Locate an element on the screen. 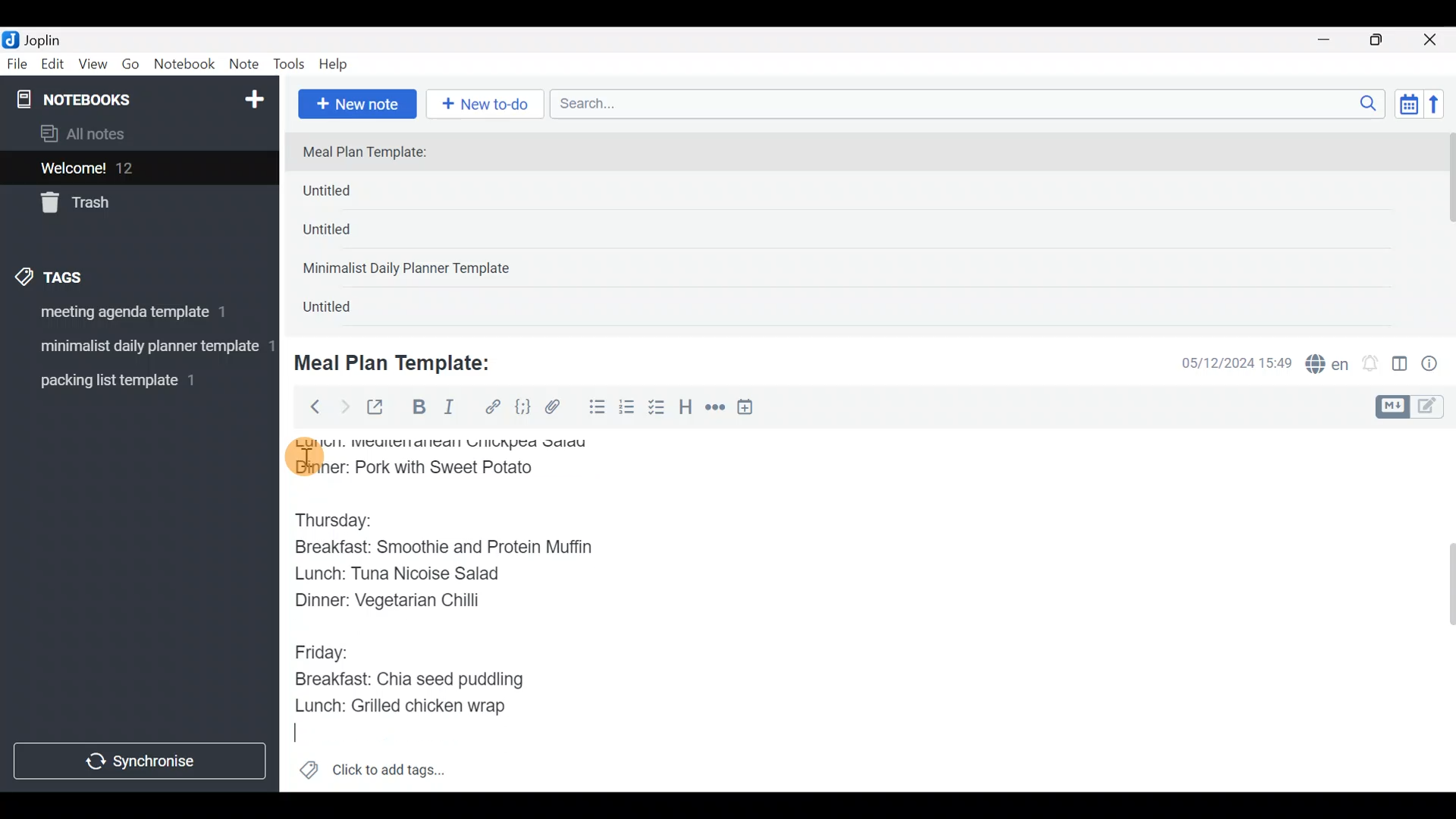 Image resolution: width=1456 pixels, height=819 pixels. Back is located at coordinates (309, 406).